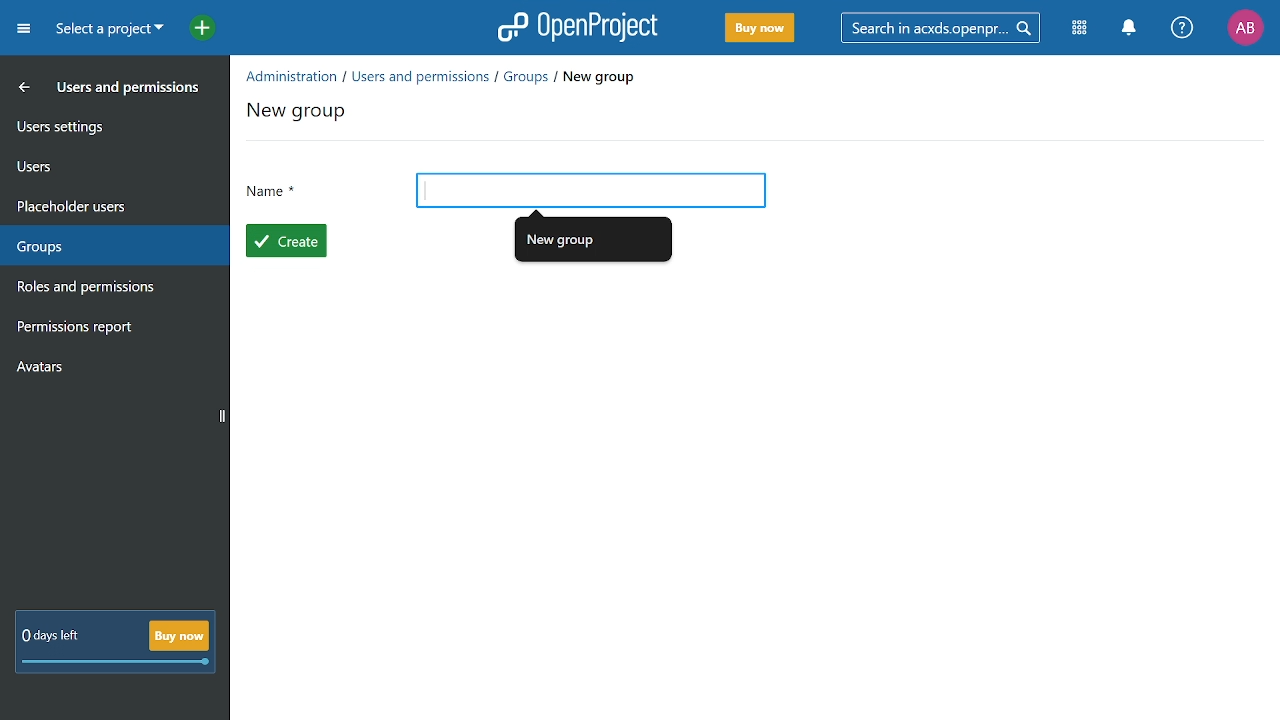  What do you see at coordinates (1245, 29) in the screenshot?
I see `current account "AB"` at bounding box center [1245, 29].